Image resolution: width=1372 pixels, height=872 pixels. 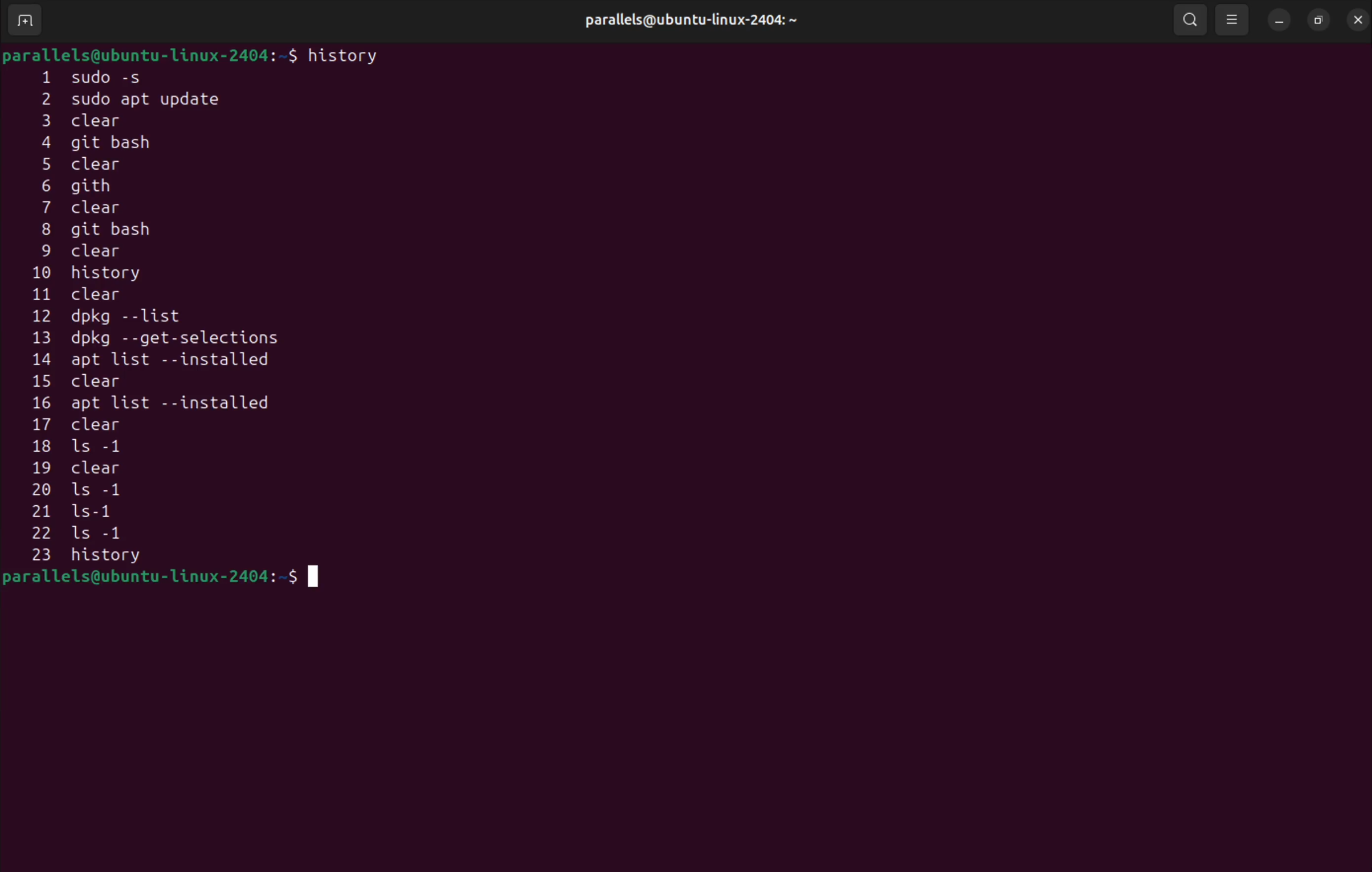 I want to click on 4 git bash, so click(x=108, y=144).